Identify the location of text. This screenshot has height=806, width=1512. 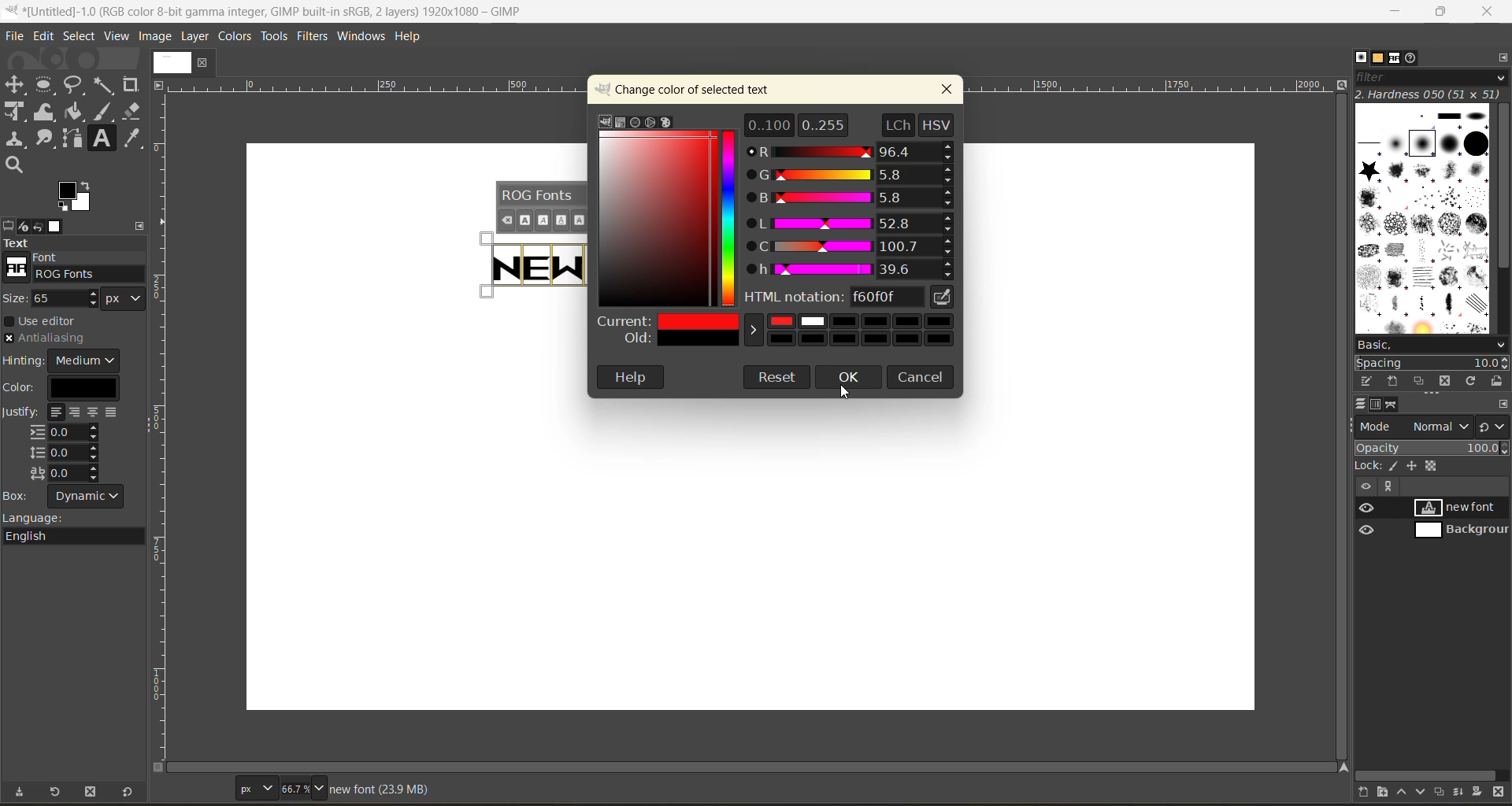
(73, 243).